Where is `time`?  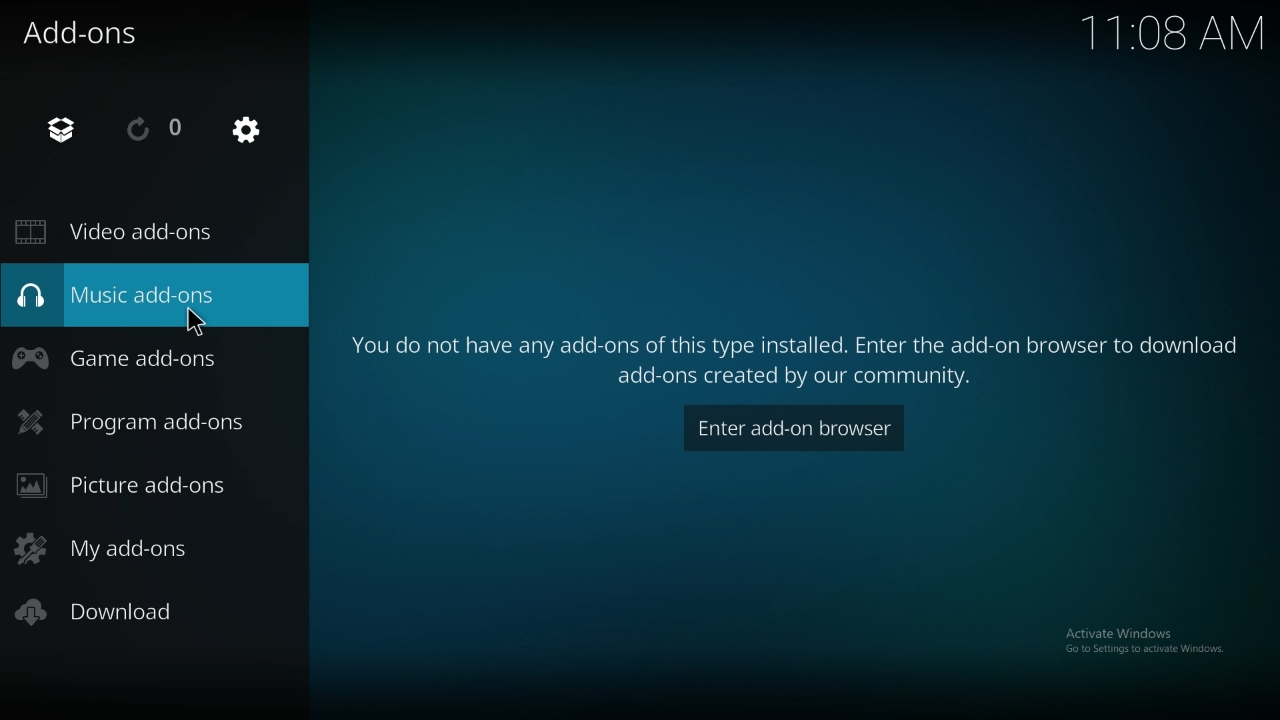
time is located at coordinates (1168, 31).